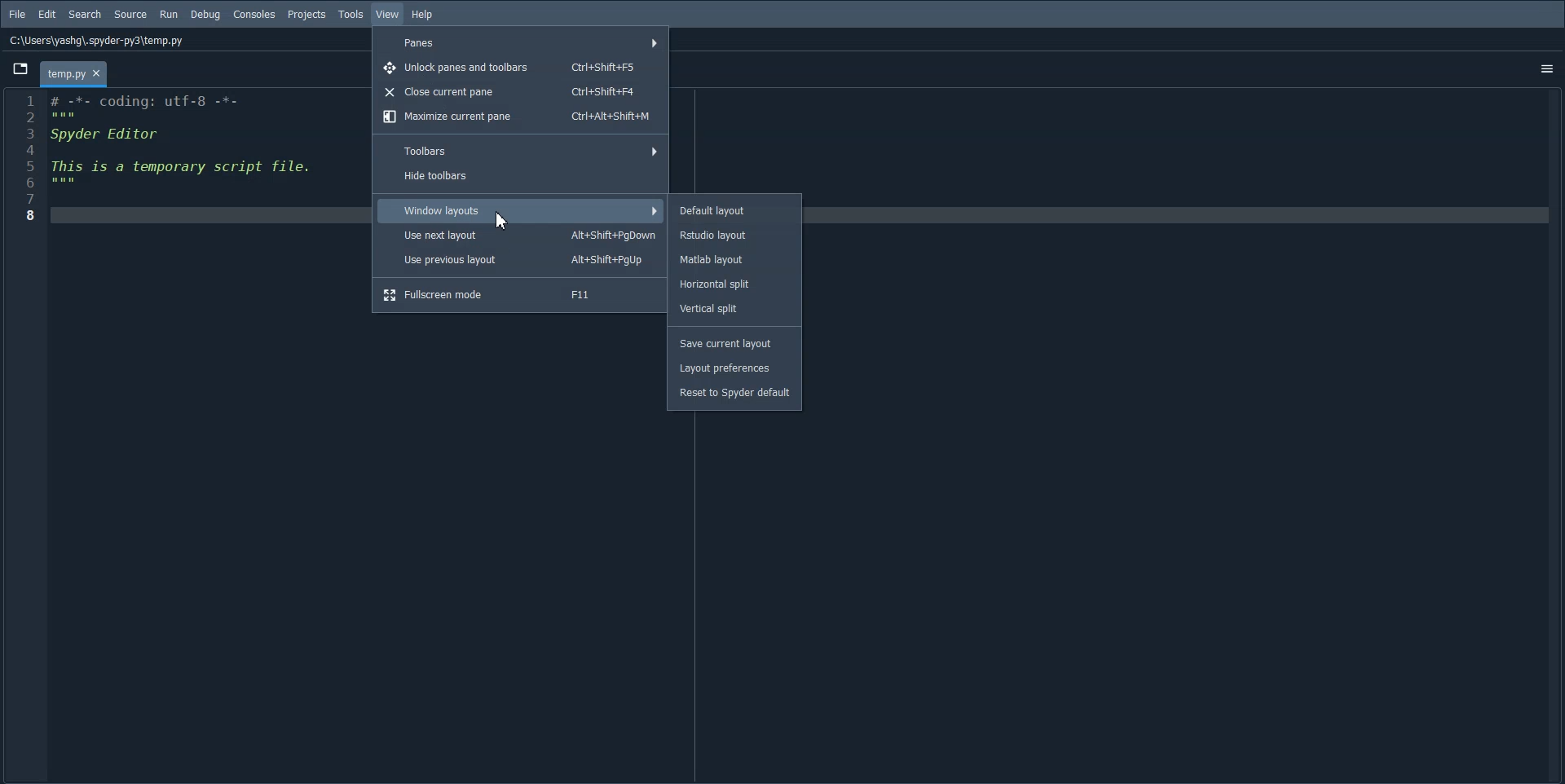 The width and height of the screenshot is (1565, 784). I want to click on Rstudio layout, so click(736, 234).